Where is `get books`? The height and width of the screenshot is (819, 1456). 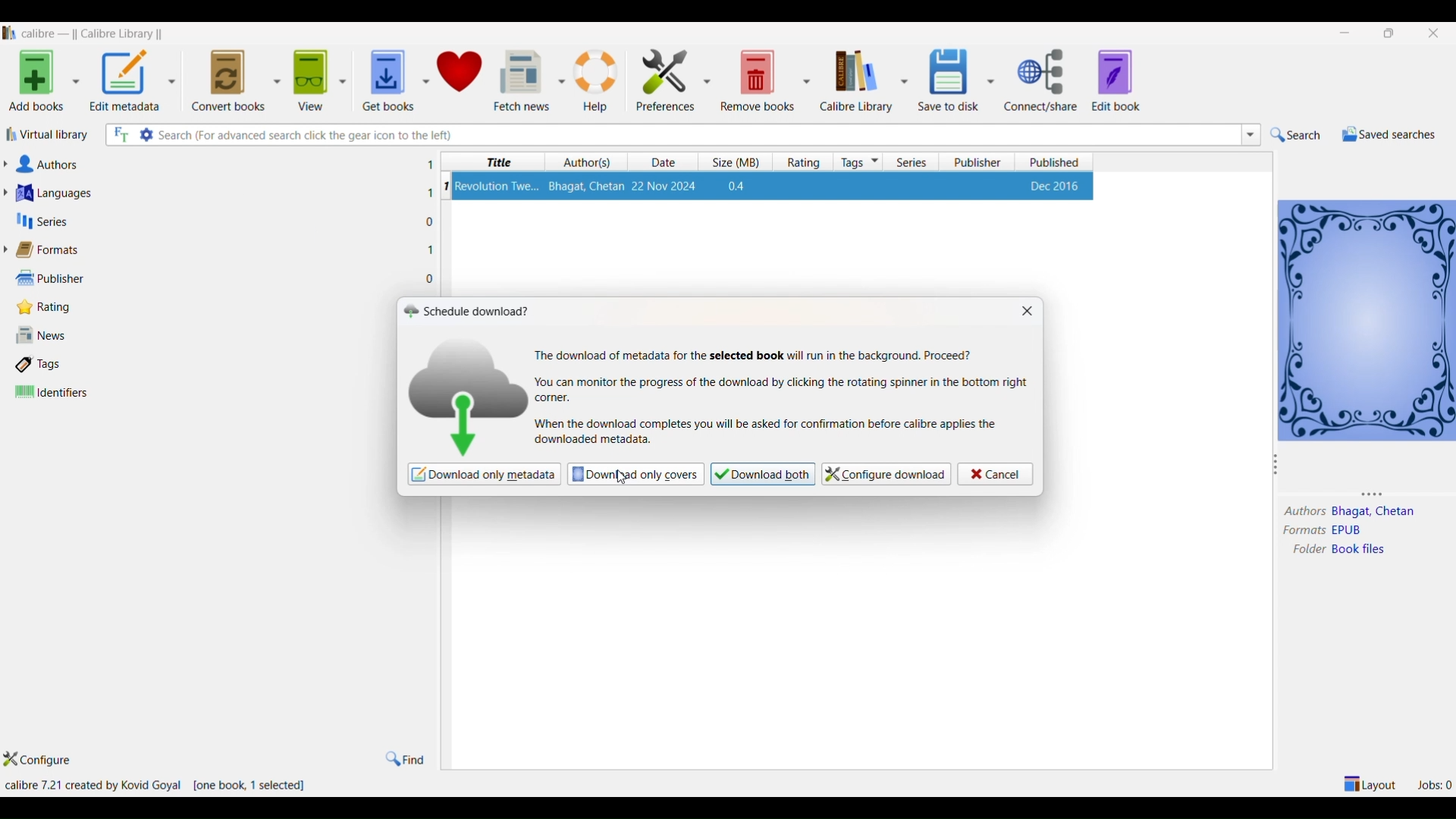 get books is located at coordinates (383, 76).